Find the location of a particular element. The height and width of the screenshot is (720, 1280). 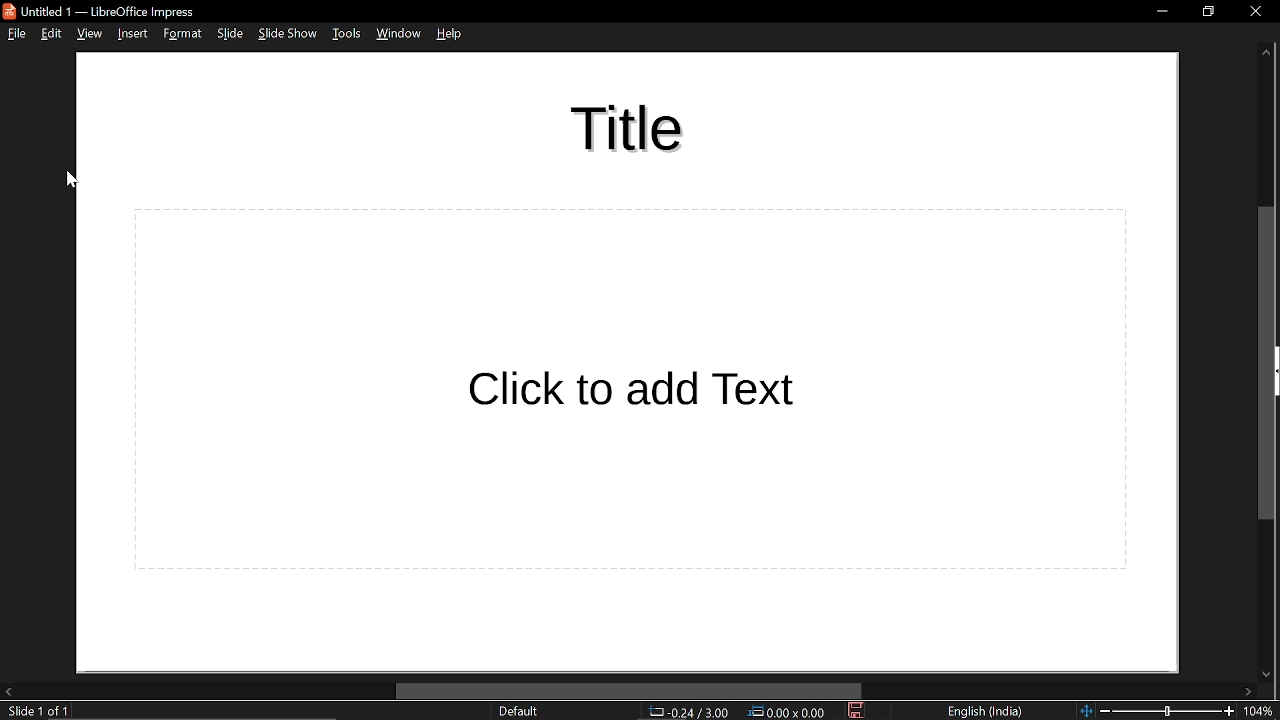

cursor is located at coordinates (73, 181).